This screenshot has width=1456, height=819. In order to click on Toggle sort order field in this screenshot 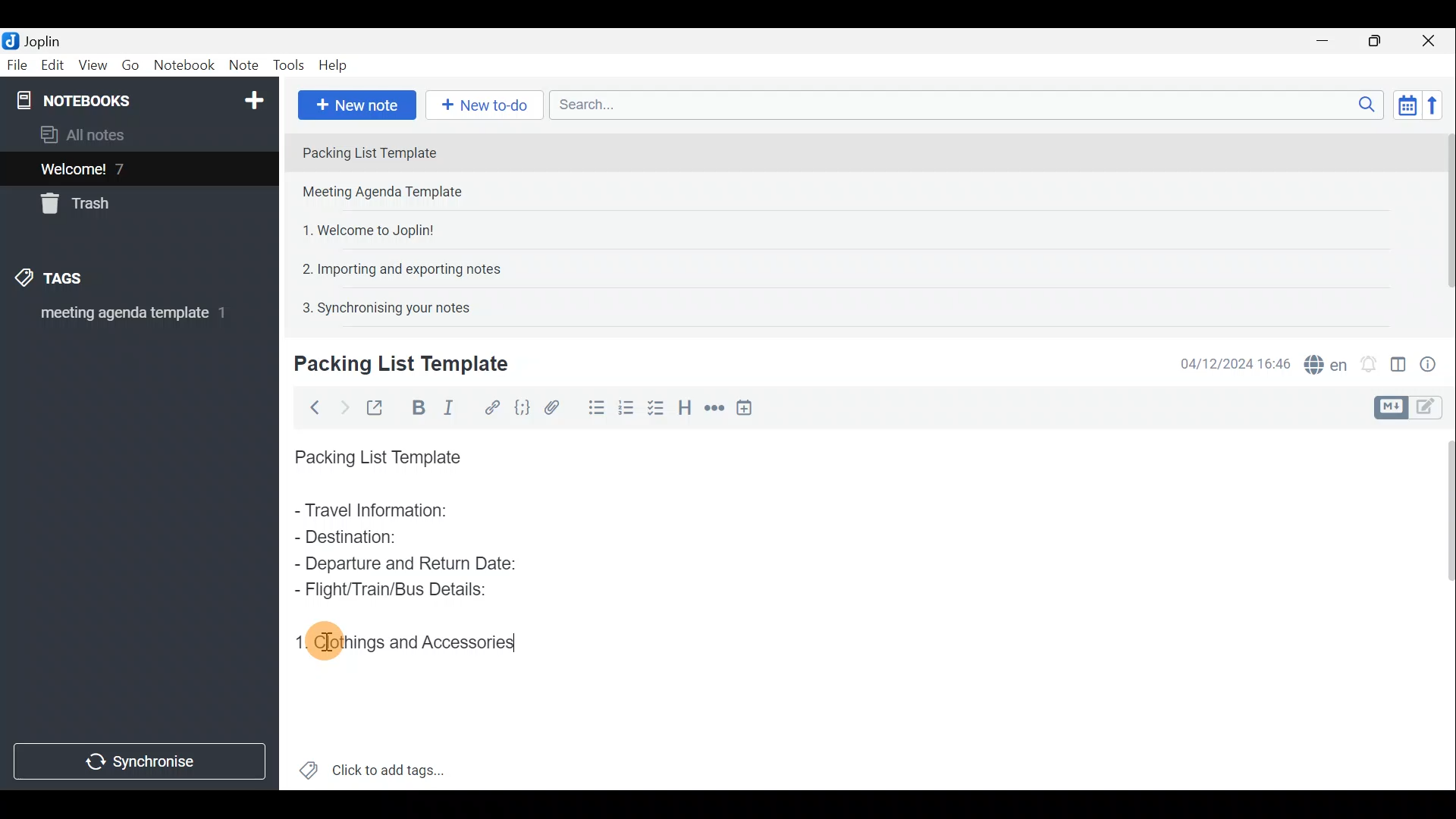, I will do `click(1402, 105)`.